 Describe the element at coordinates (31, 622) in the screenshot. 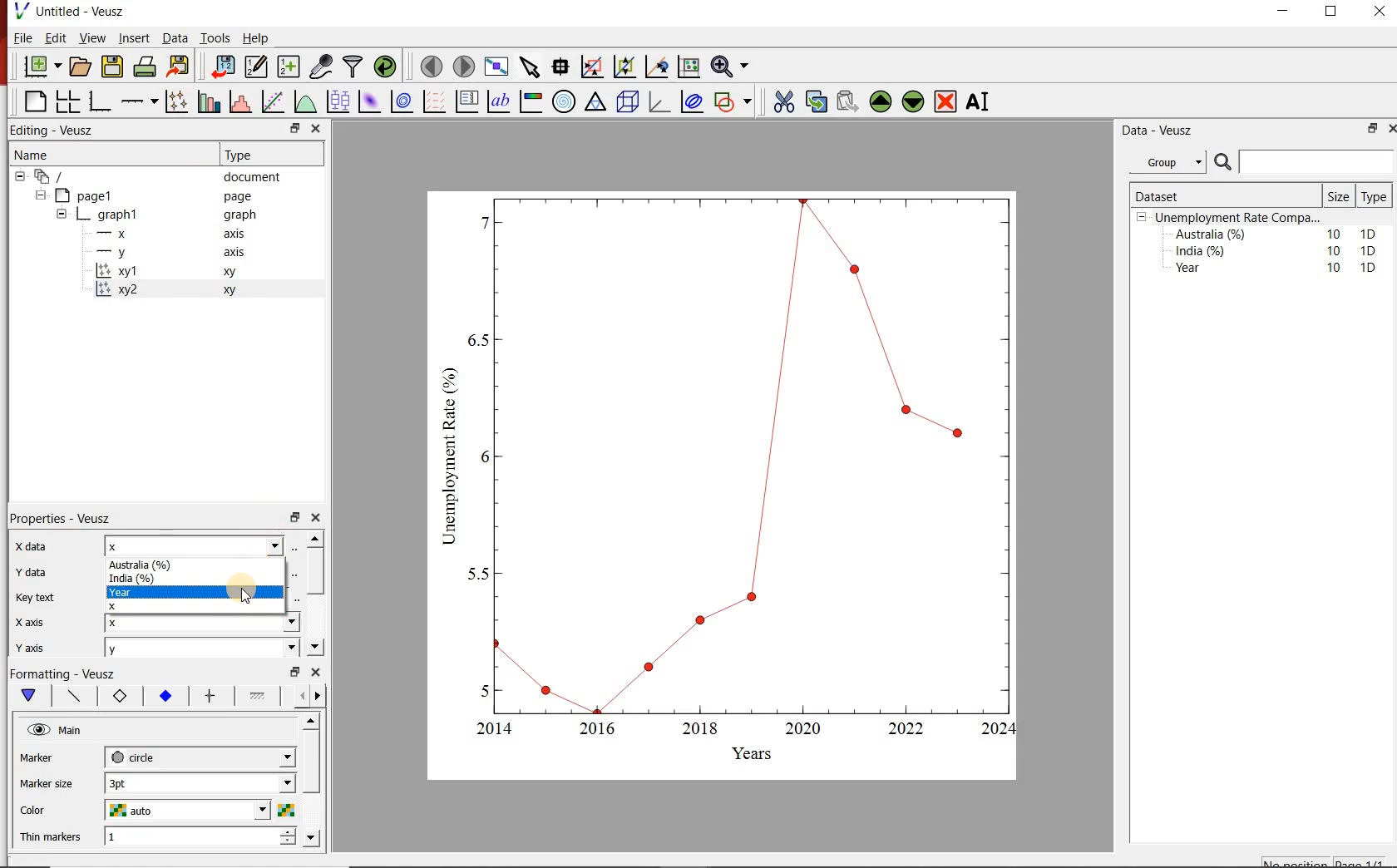

I see `x axis` at that location.